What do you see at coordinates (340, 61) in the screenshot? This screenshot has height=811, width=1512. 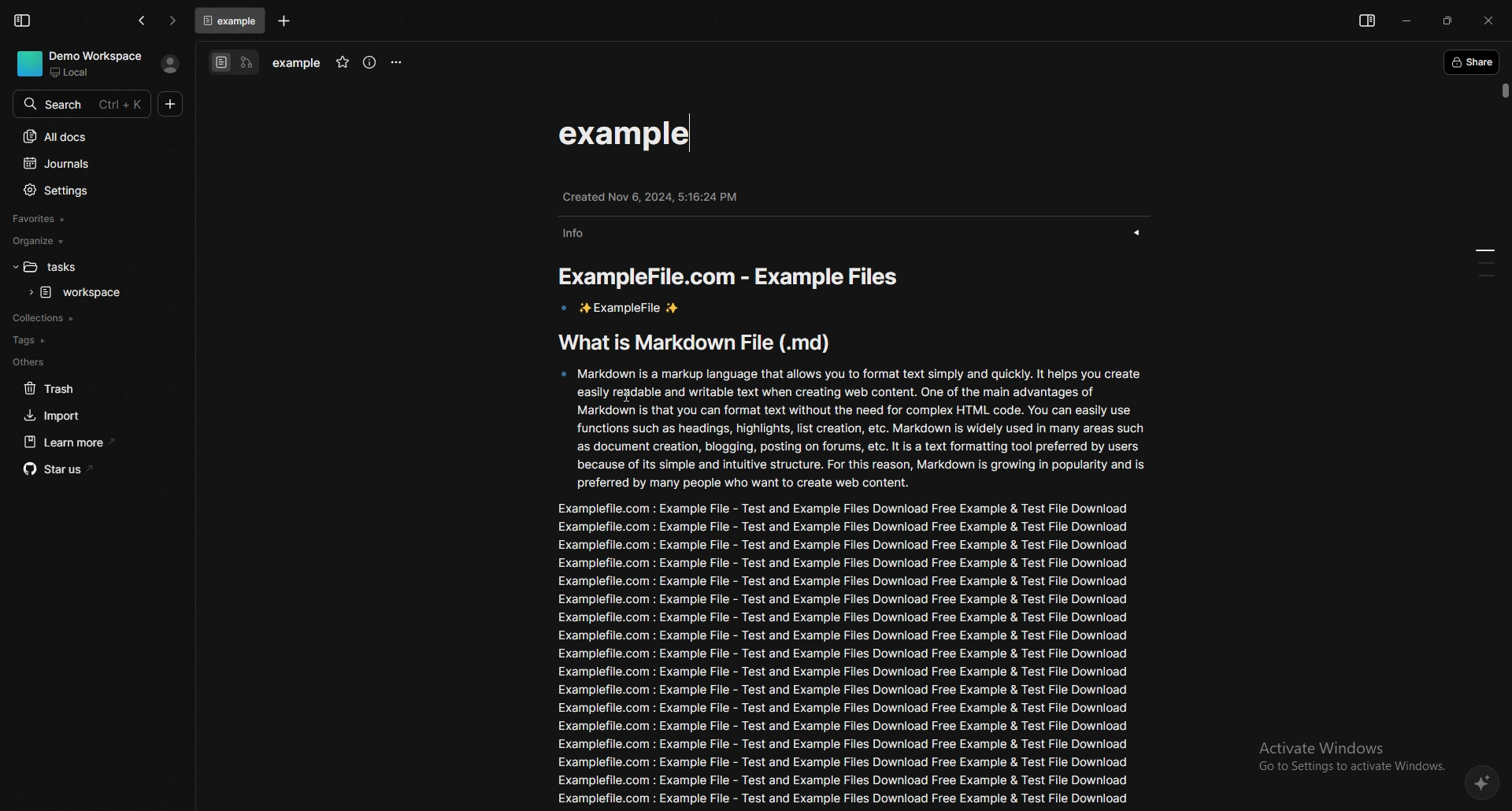 I see `favourite` at bounding box center [340, 61].